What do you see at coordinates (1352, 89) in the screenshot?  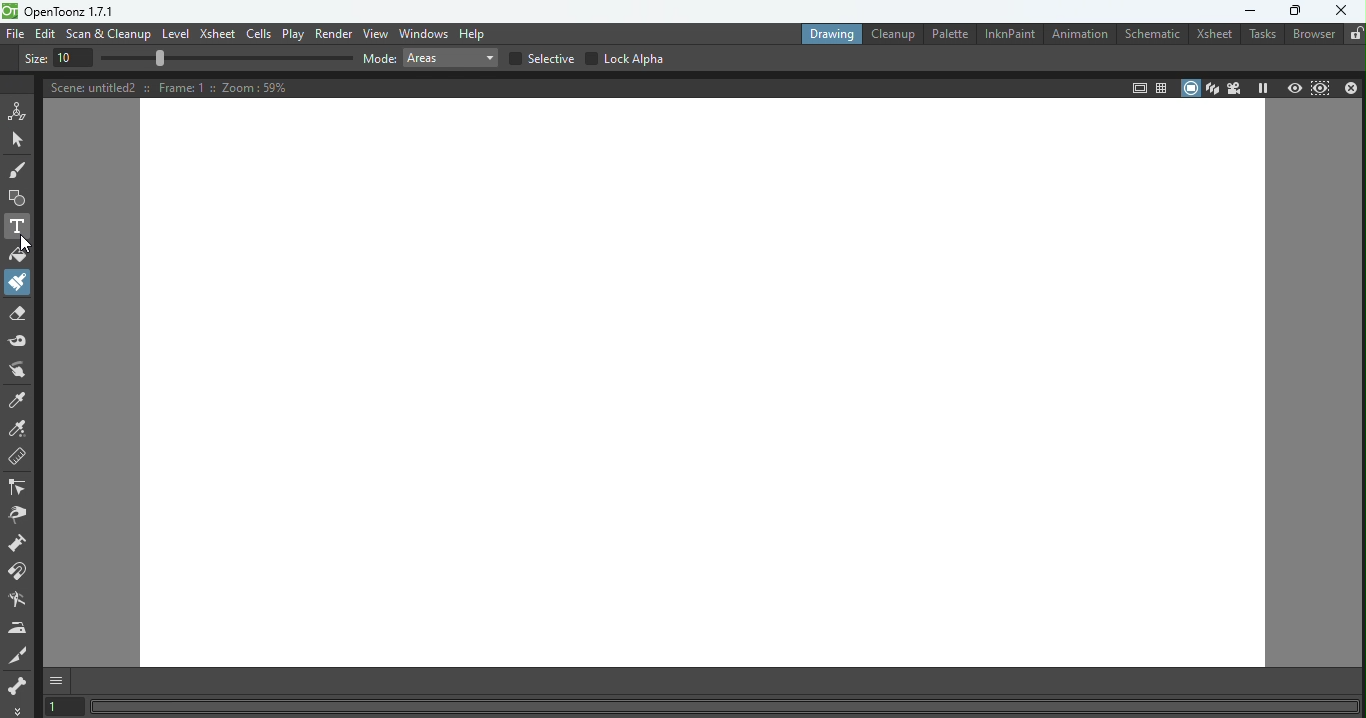 I see `Close` at bounding box center [1352, 89].